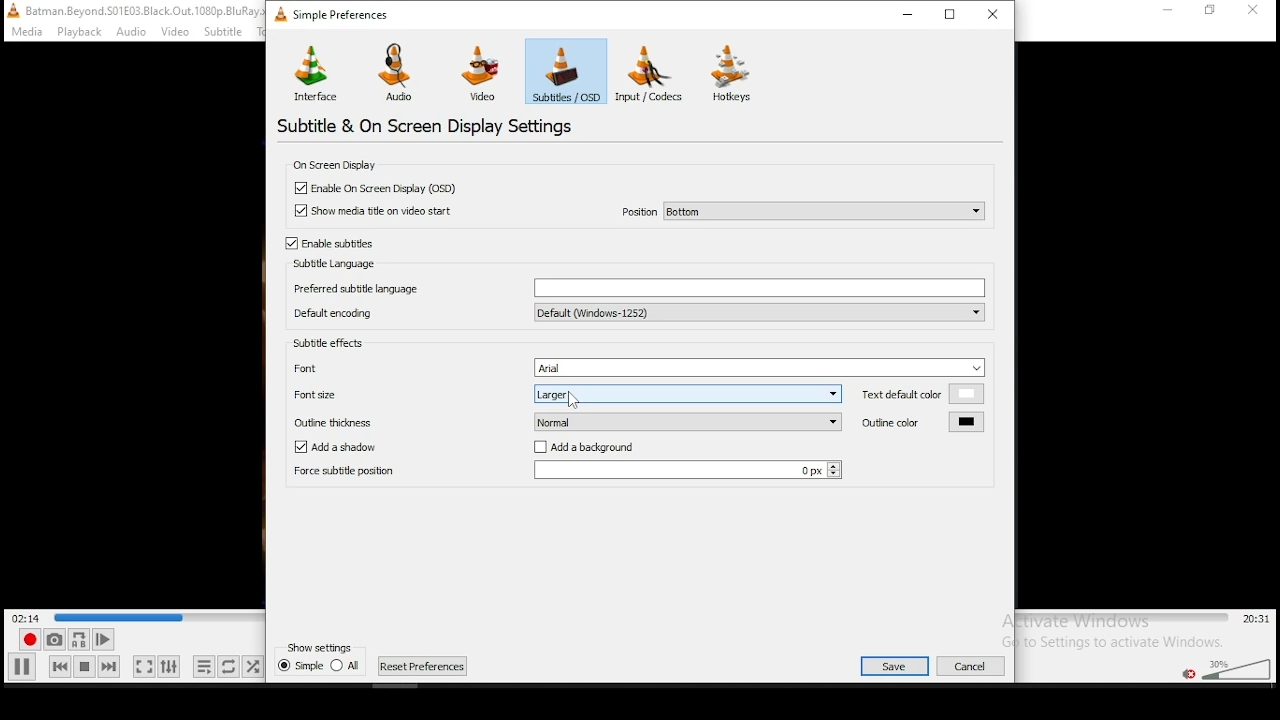  What do you see at coordinates (636, 312) in the screenshot?
I see `default encoding` at bounding box center [636, 312].